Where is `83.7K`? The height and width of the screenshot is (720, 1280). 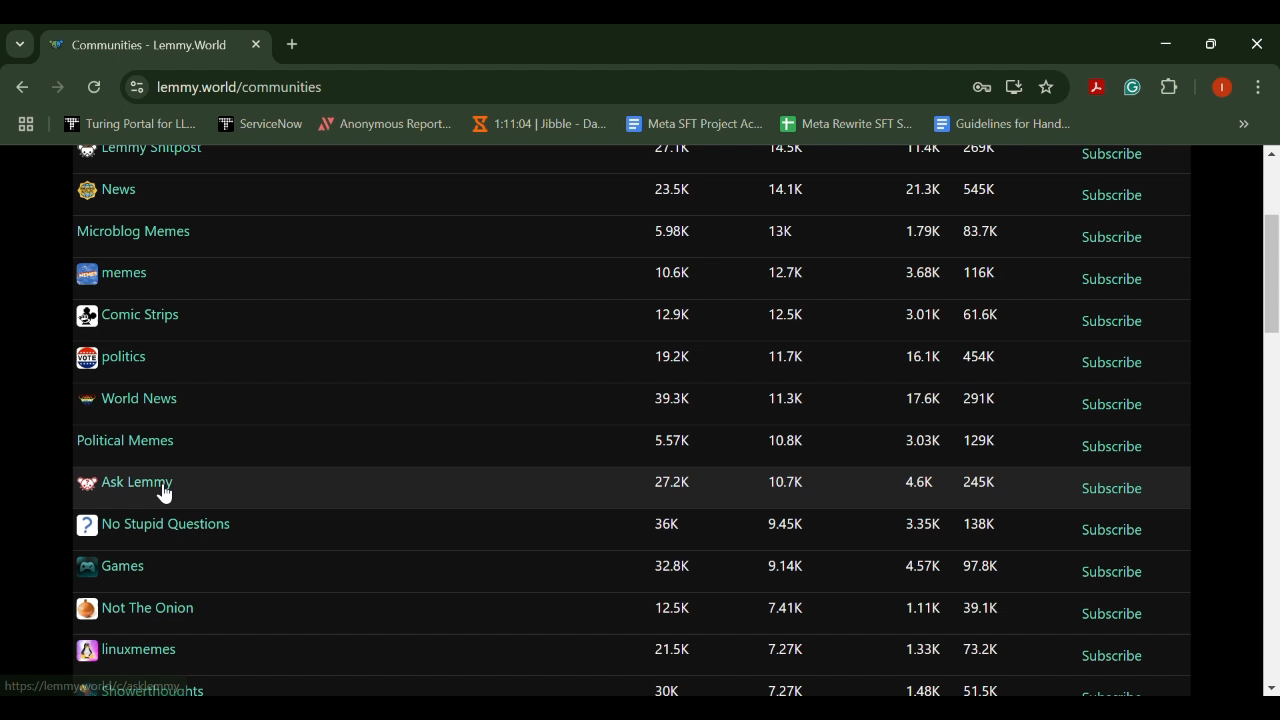
83.7K is located at coordinates (980, 231).